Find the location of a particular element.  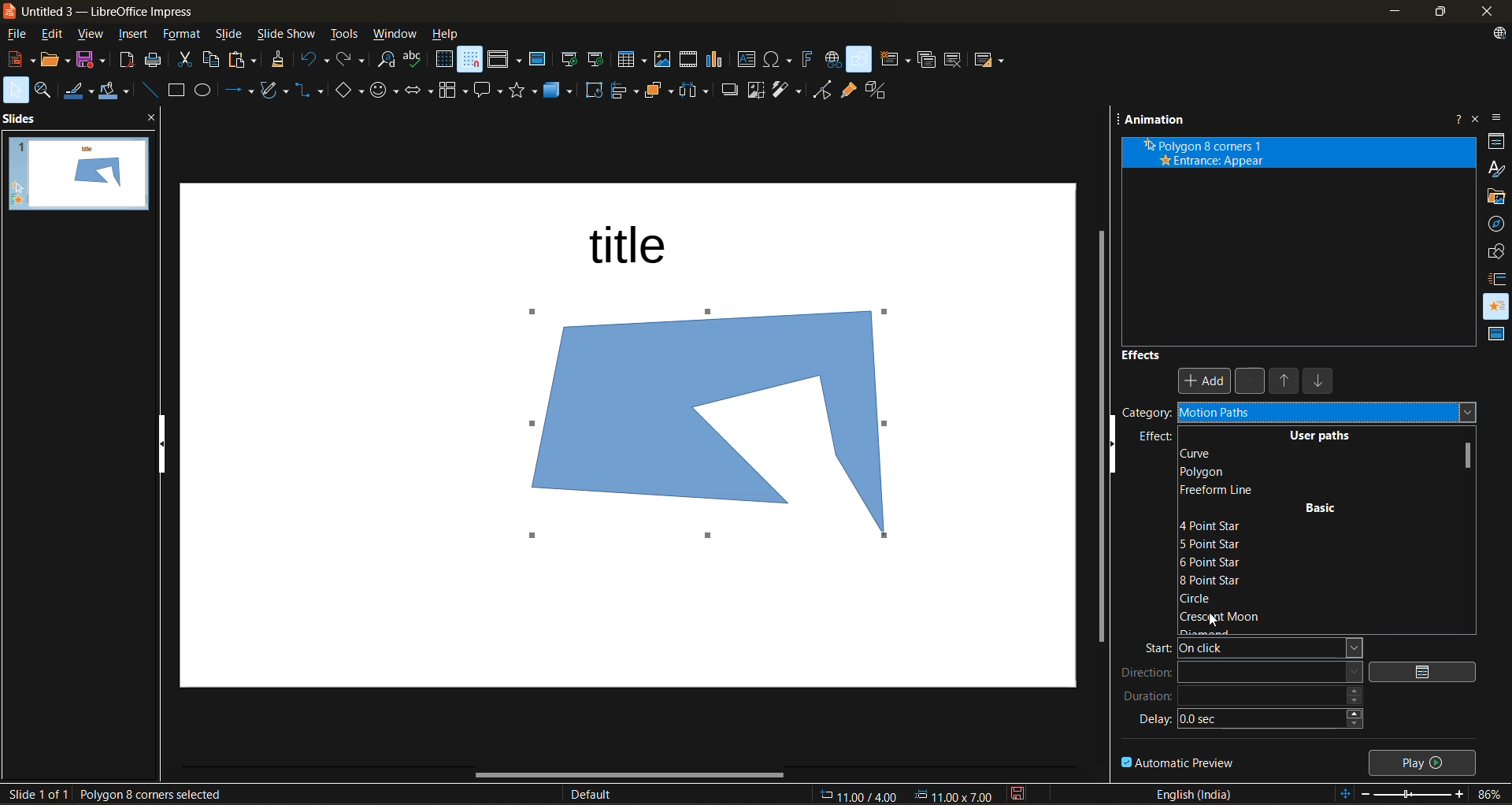

remove effect is located at coordinates (1253, 382).